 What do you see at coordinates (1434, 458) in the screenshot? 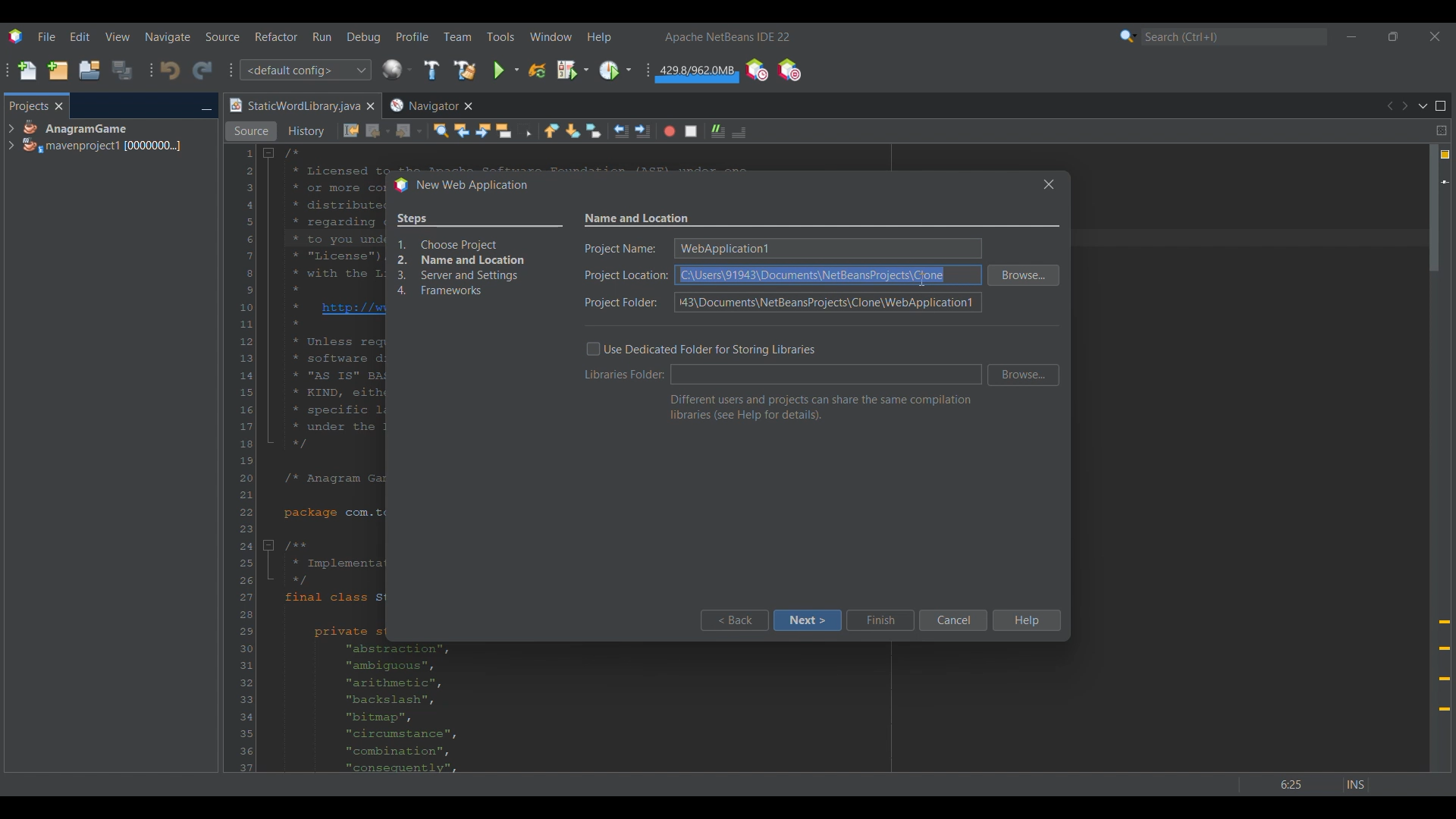
I see `Vertical slide bar` at bounding box center [1434, 458].